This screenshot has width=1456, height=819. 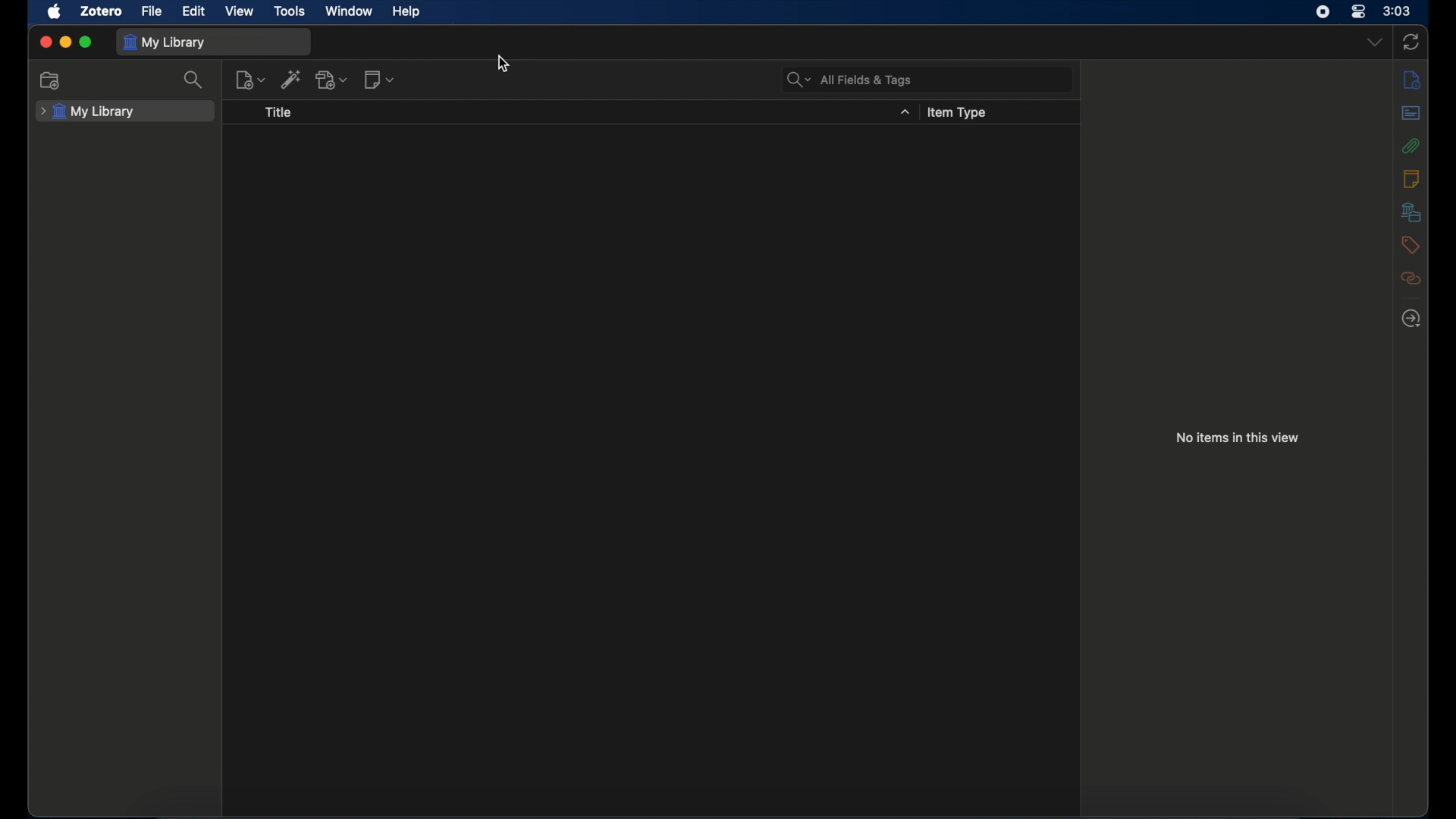 I want to click on time, so click(x=1398, y=10).